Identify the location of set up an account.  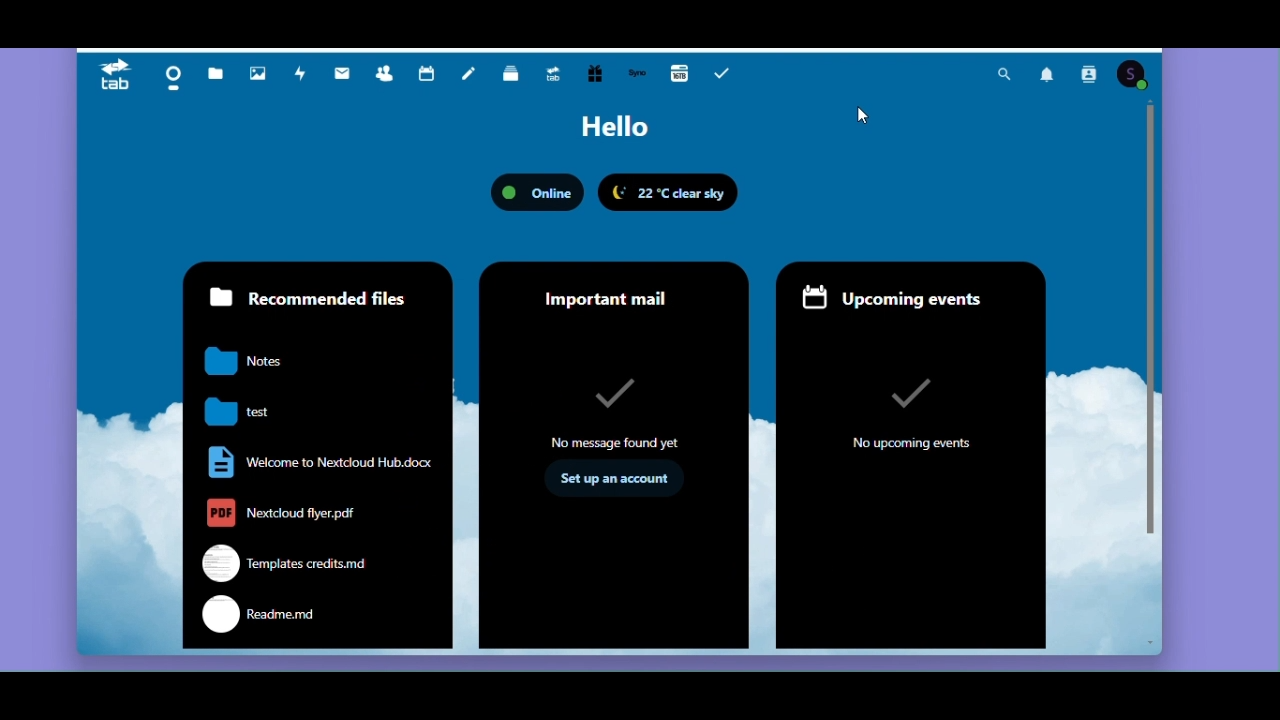
(619, 479).